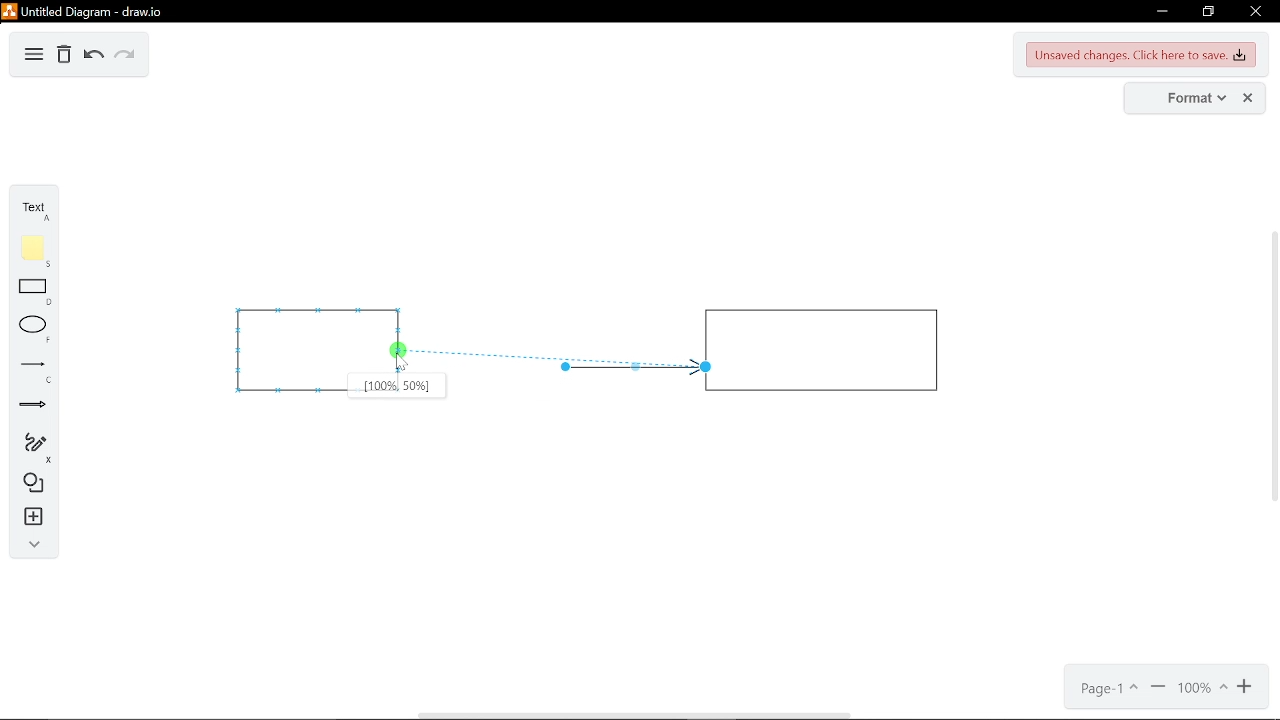  What do you see at coordinates (1258, 14) in the screenshot?
I see `close` at bounding box center [1258, 14].